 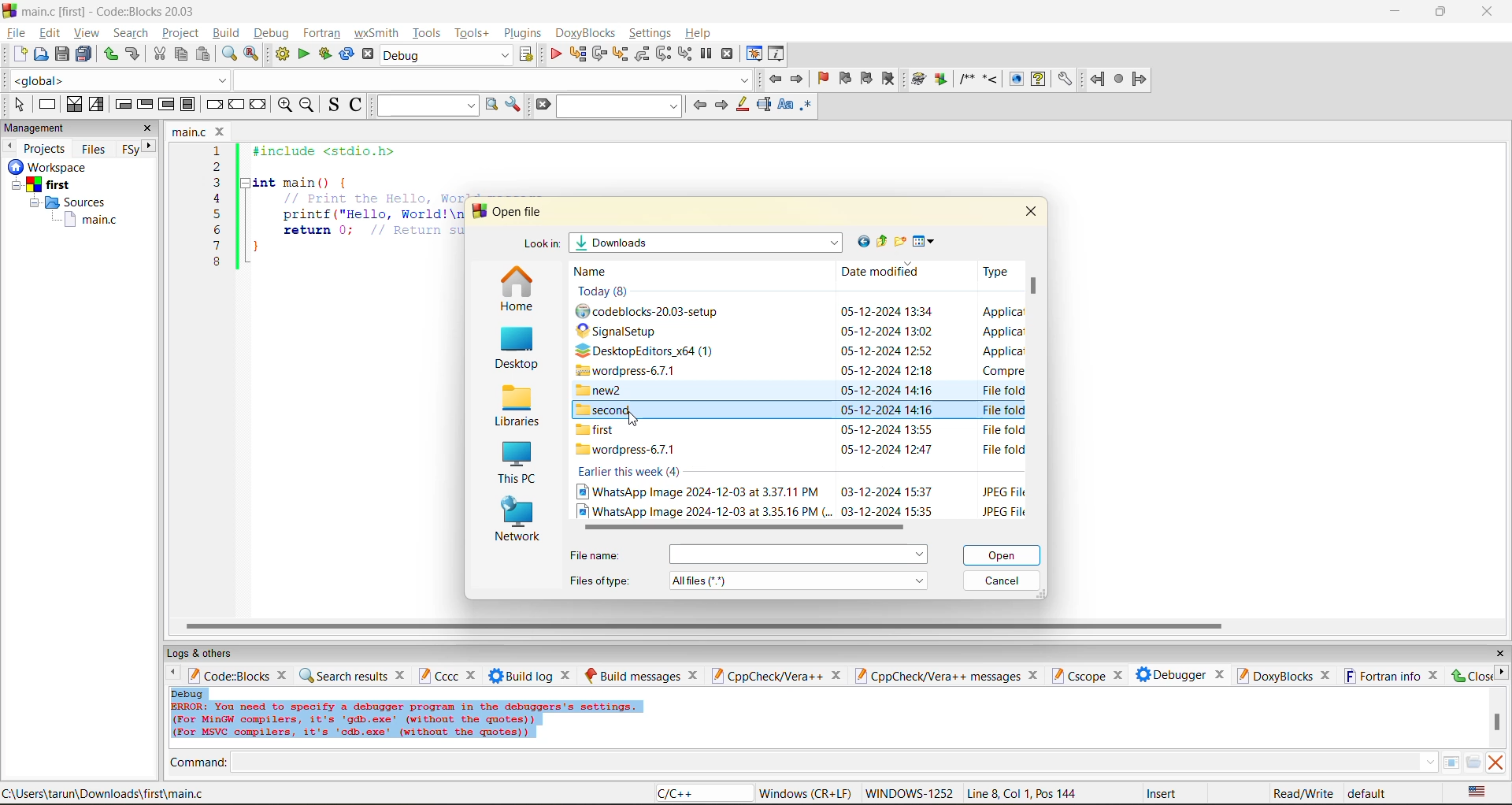 I want to click on entry condition loop, so click(x=123, y=104).